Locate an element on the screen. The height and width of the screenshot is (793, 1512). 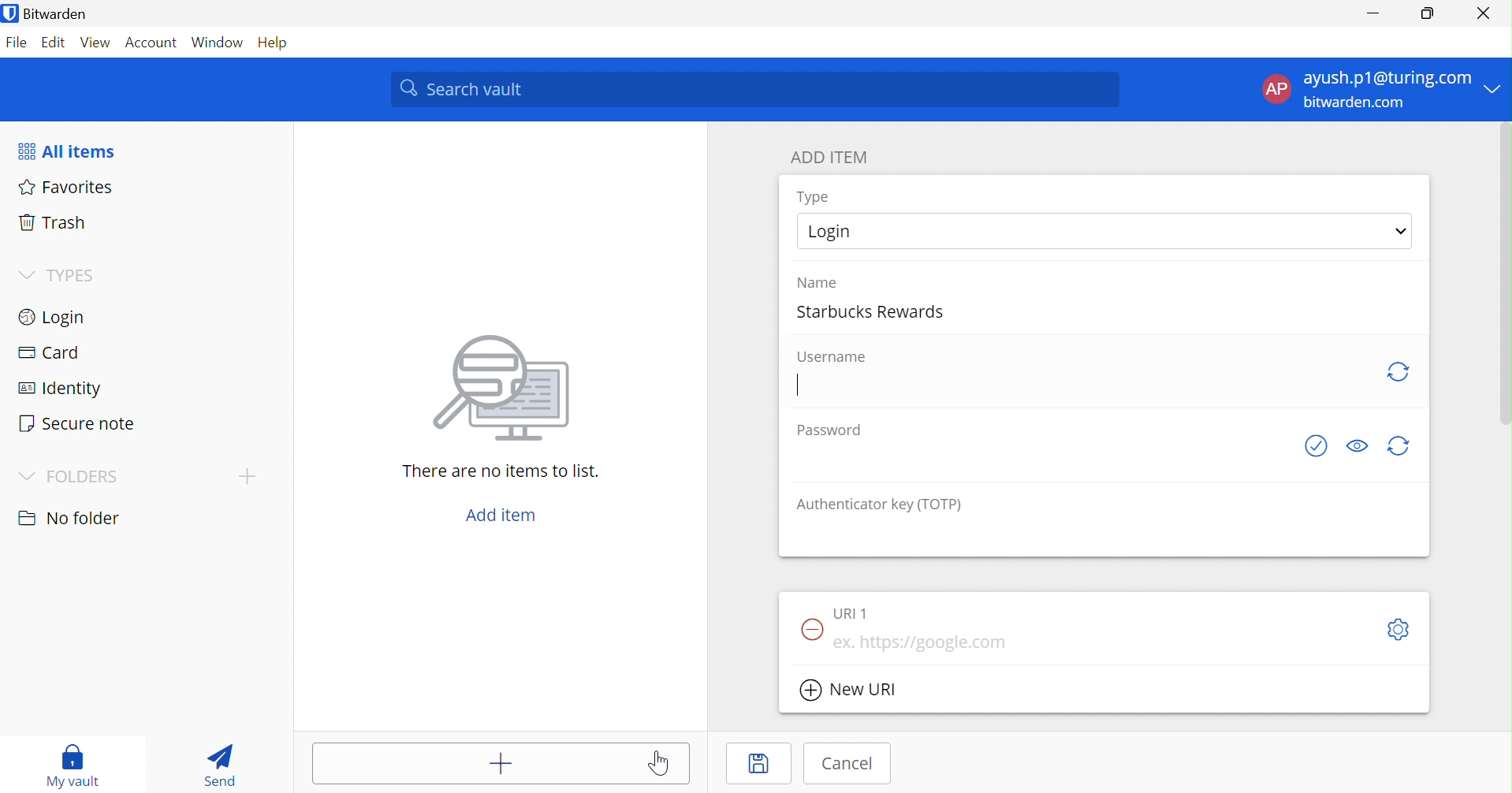
Window is located at coordinates (220, 43).